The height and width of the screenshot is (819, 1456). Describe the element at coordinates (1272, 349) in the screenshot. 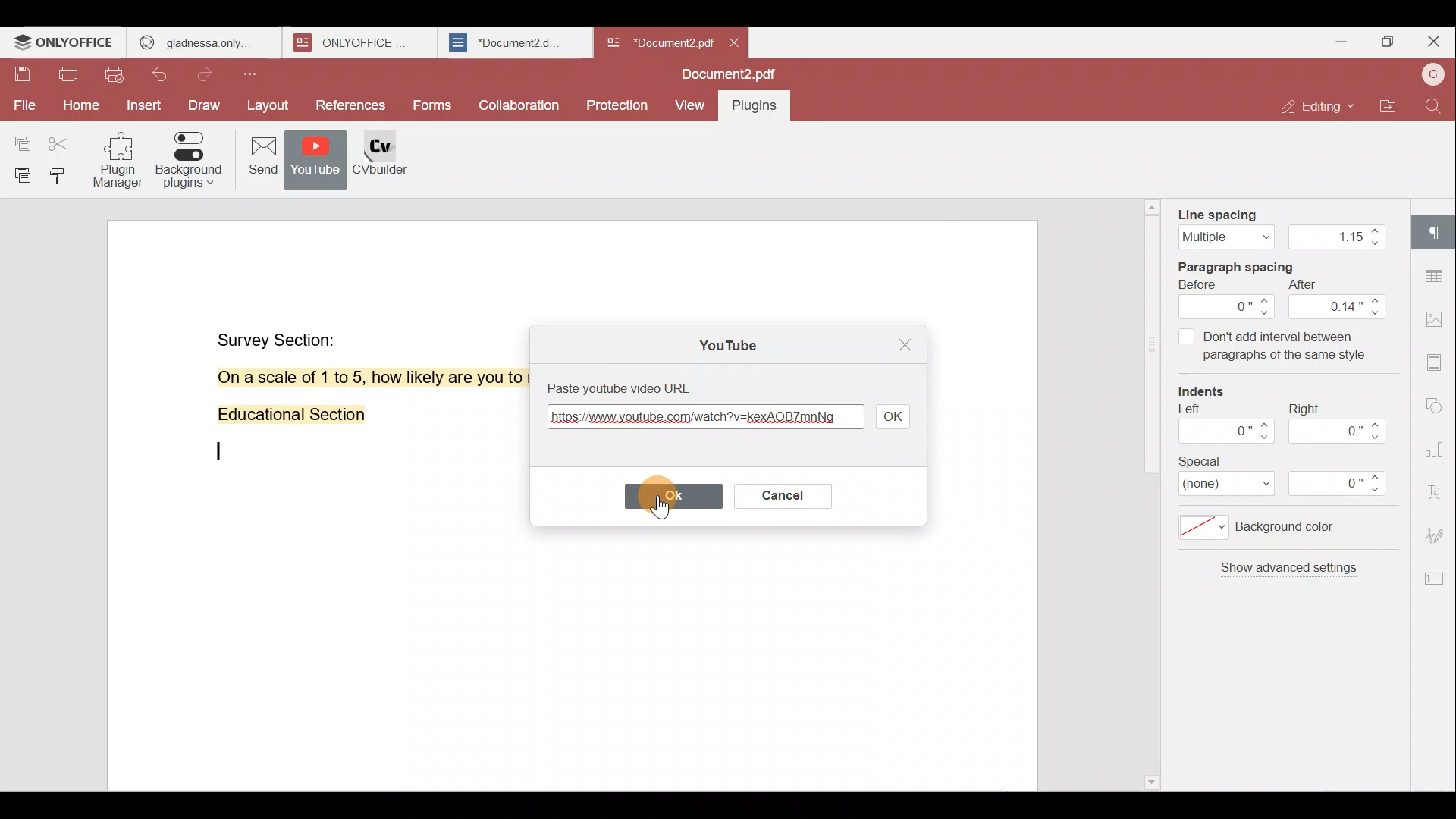

I see `Don't add interval between
paragraphs of the same style` at that location.